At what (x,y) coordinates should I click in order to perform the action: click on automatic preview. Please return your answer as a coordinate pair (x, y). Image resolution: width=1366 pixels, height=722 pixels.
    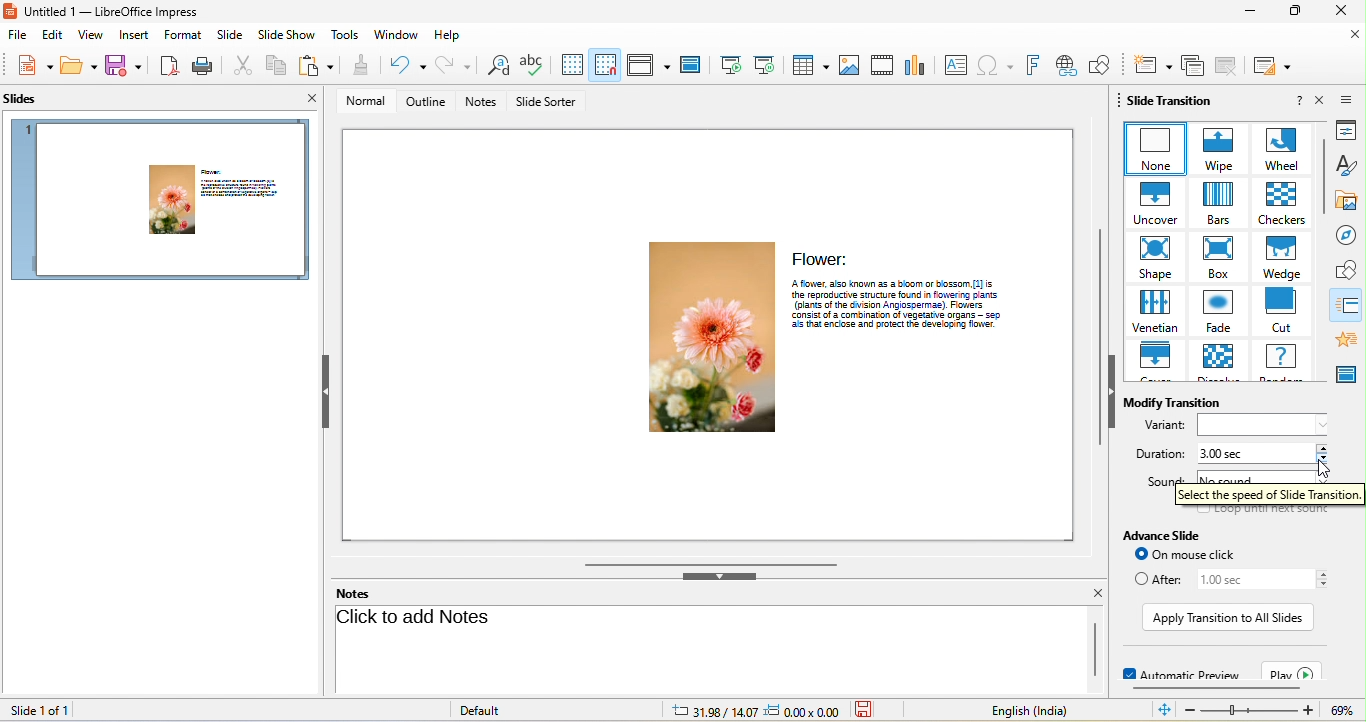
    Looking at the image, I should click on (1179, 671).